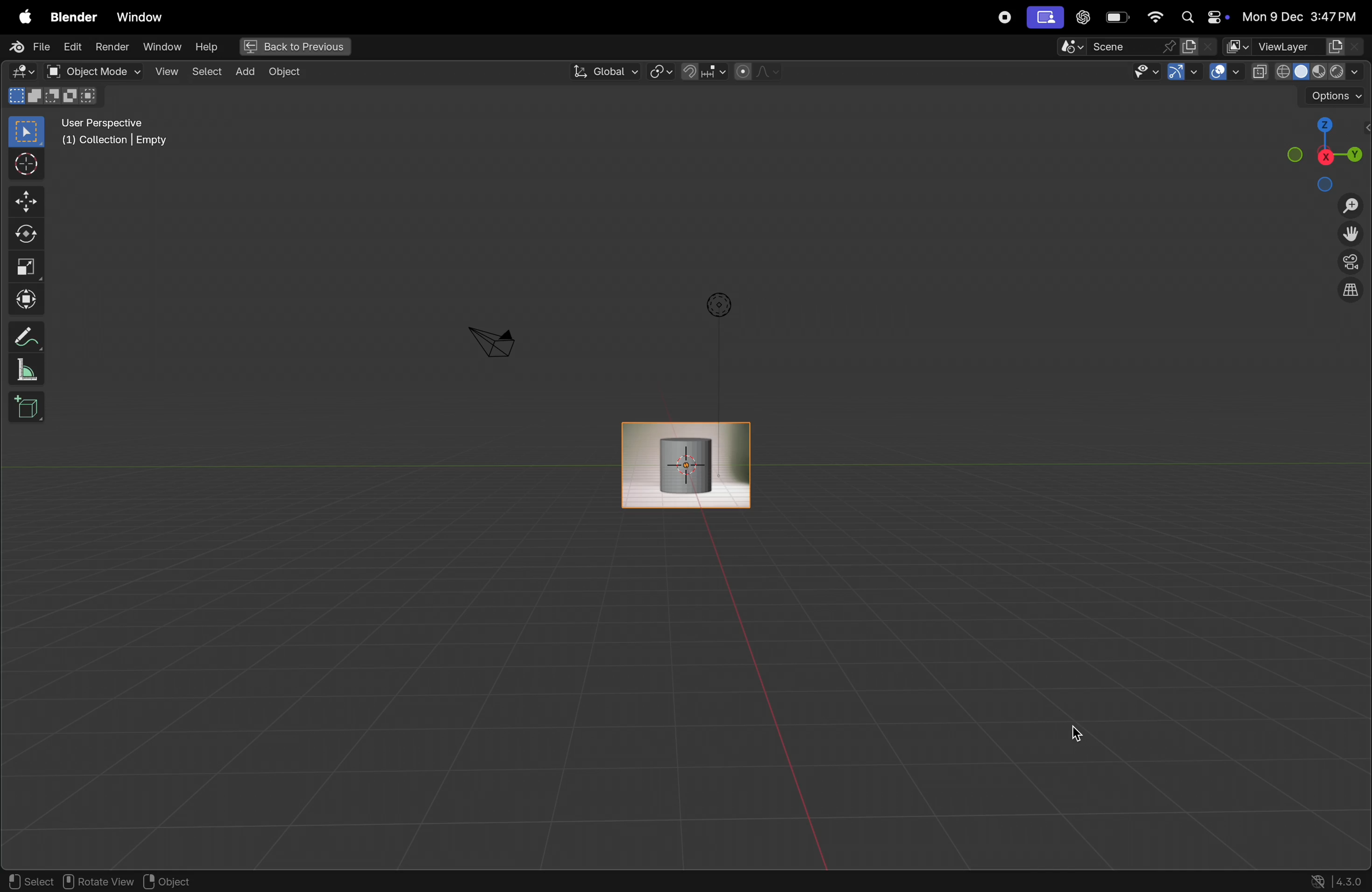  I want to click on zoom in, so click(1350, 206).